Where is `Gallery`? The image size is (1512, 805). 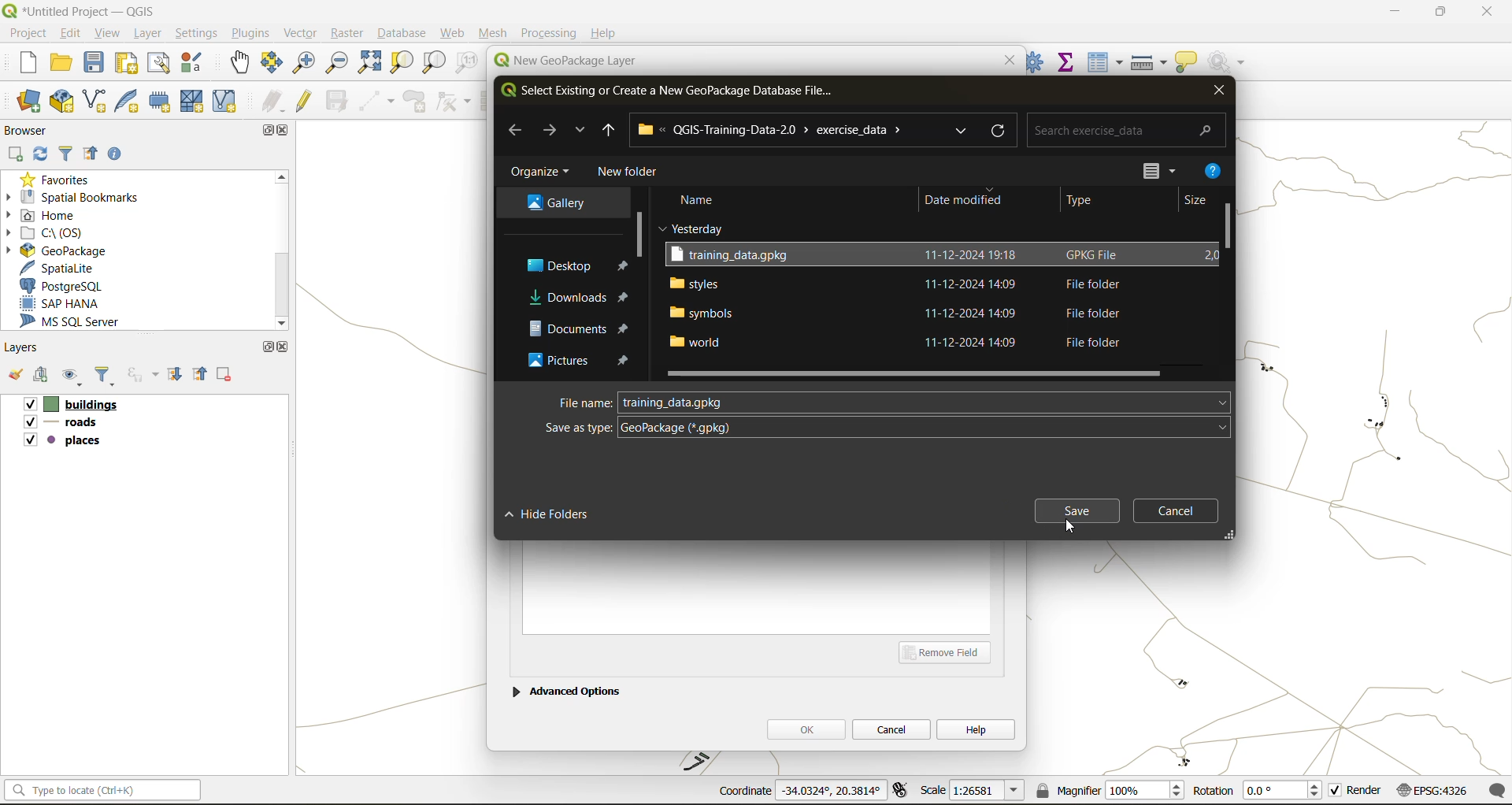 Gallery is located at coordinates (554, 202).